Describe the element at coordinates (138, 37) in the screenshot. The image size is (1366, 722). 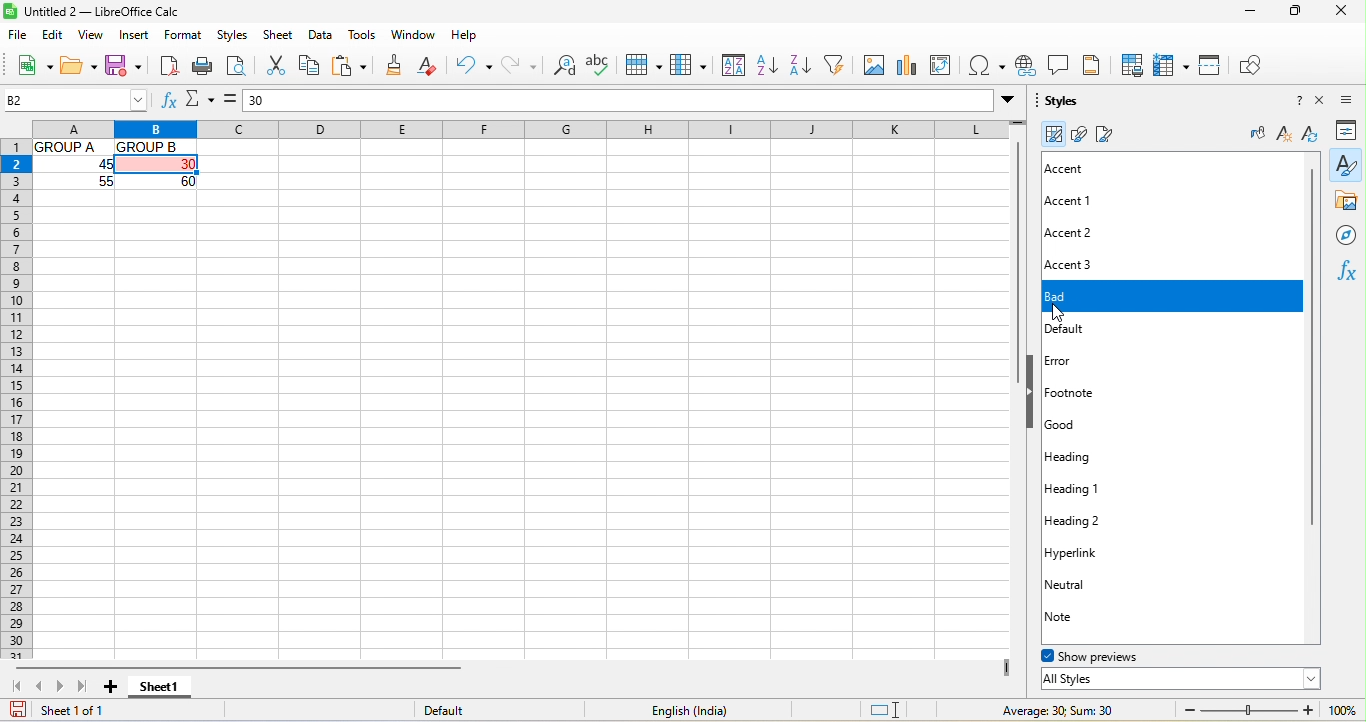
I see `insert` at that location.